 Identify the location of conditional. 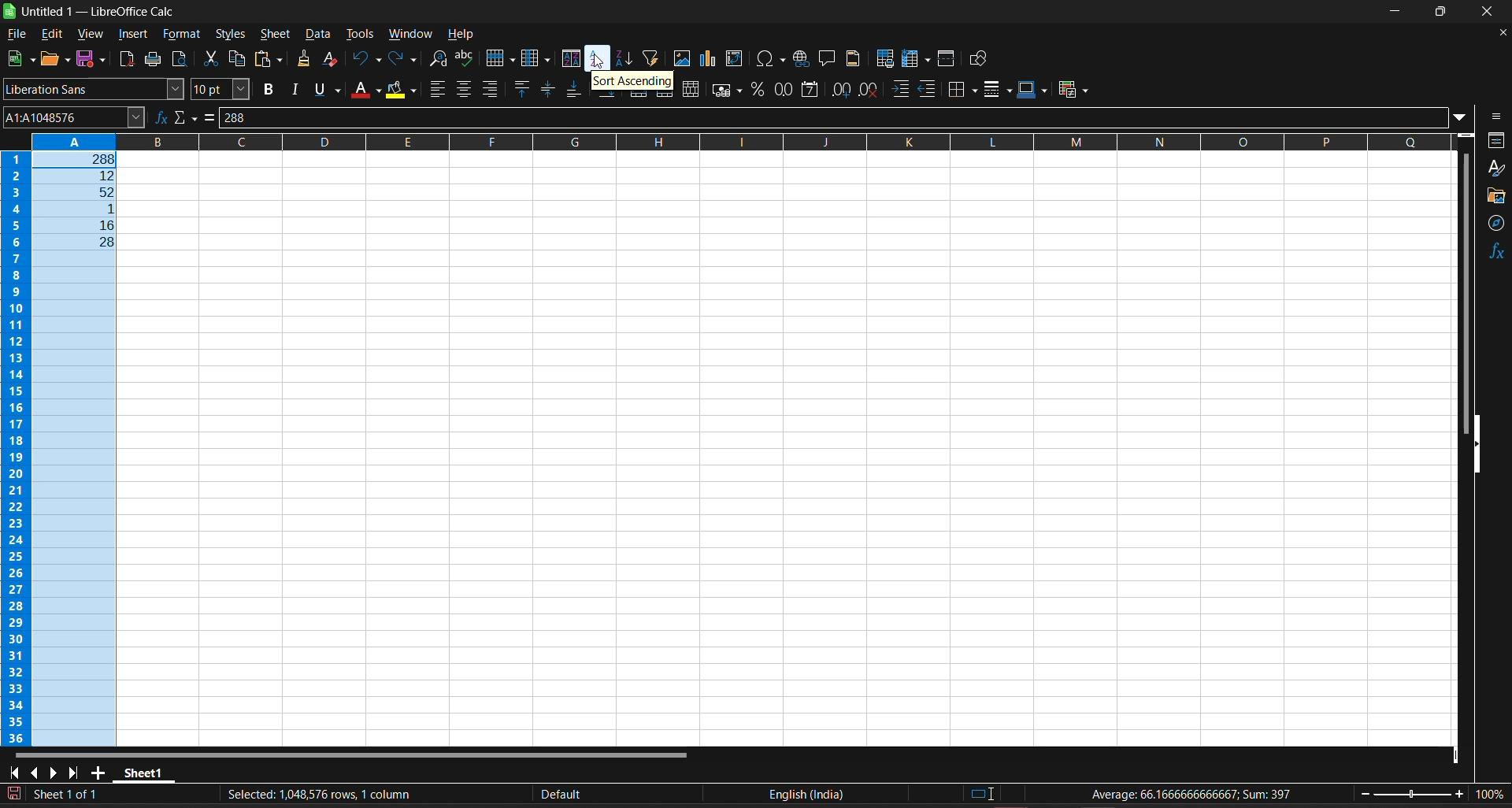
(1074, 88).